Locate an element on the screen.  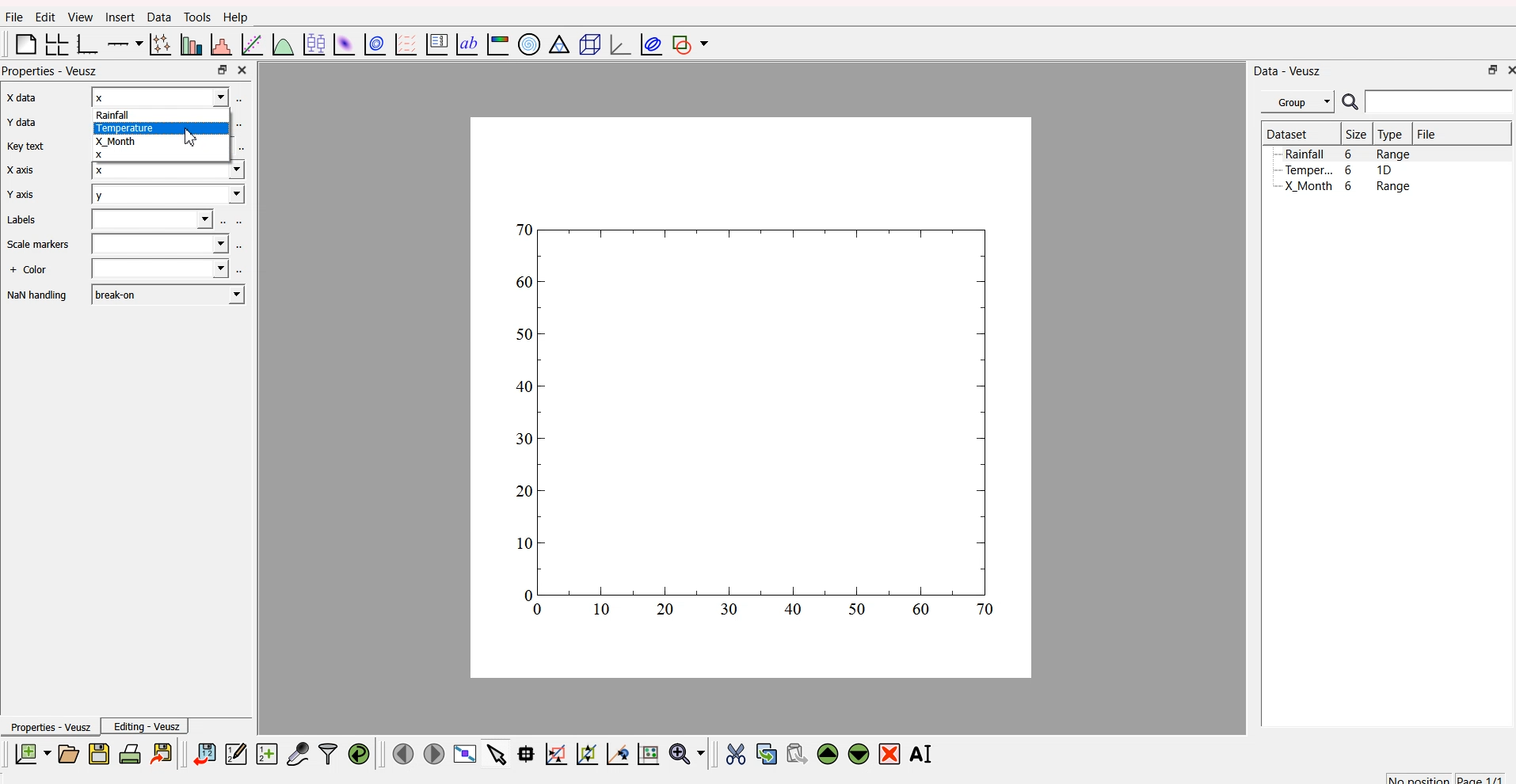
maximize is located at coordinates (1488, 72).